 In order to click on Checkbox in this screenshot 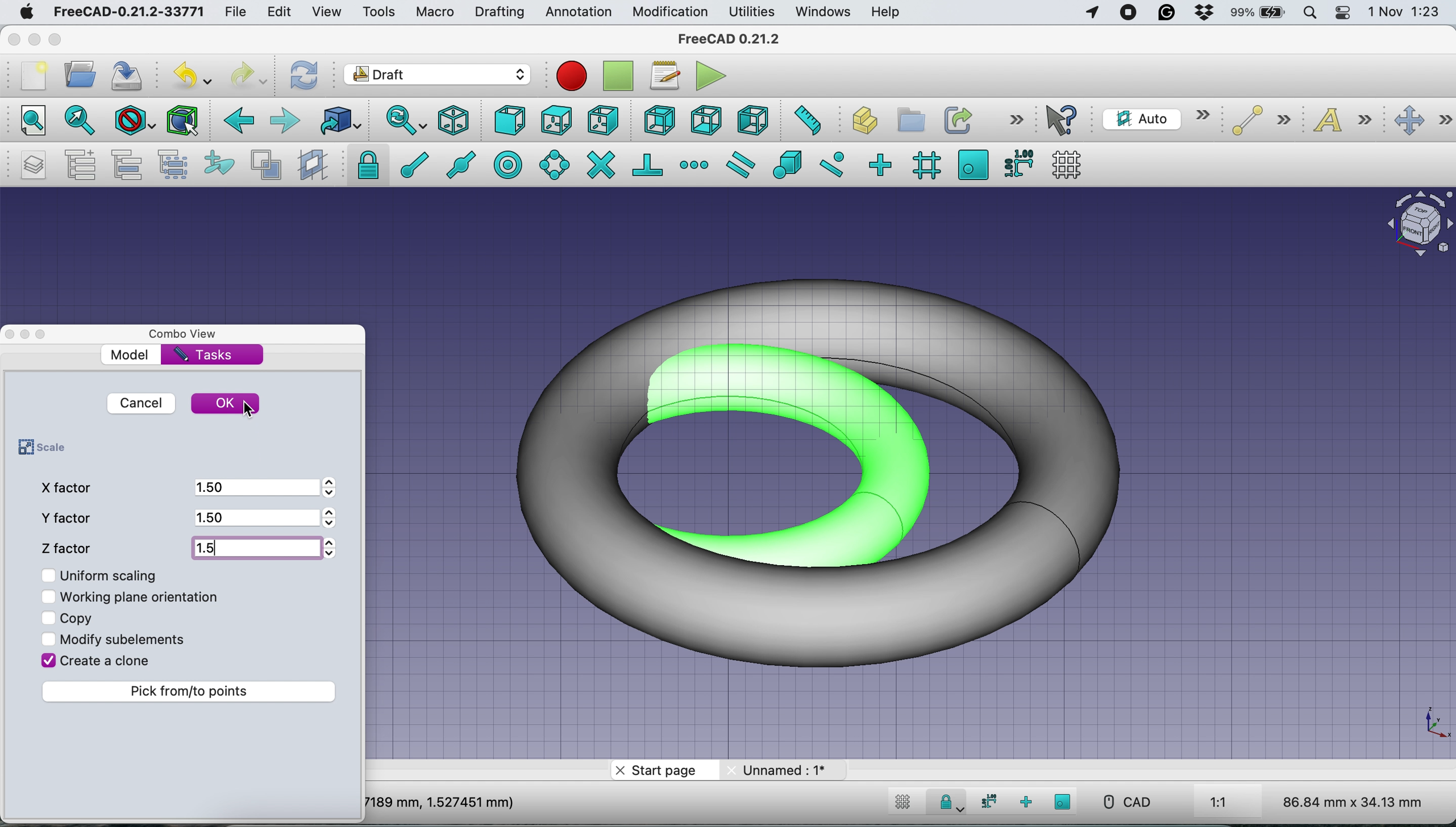, I will do `click(47, 659)`.